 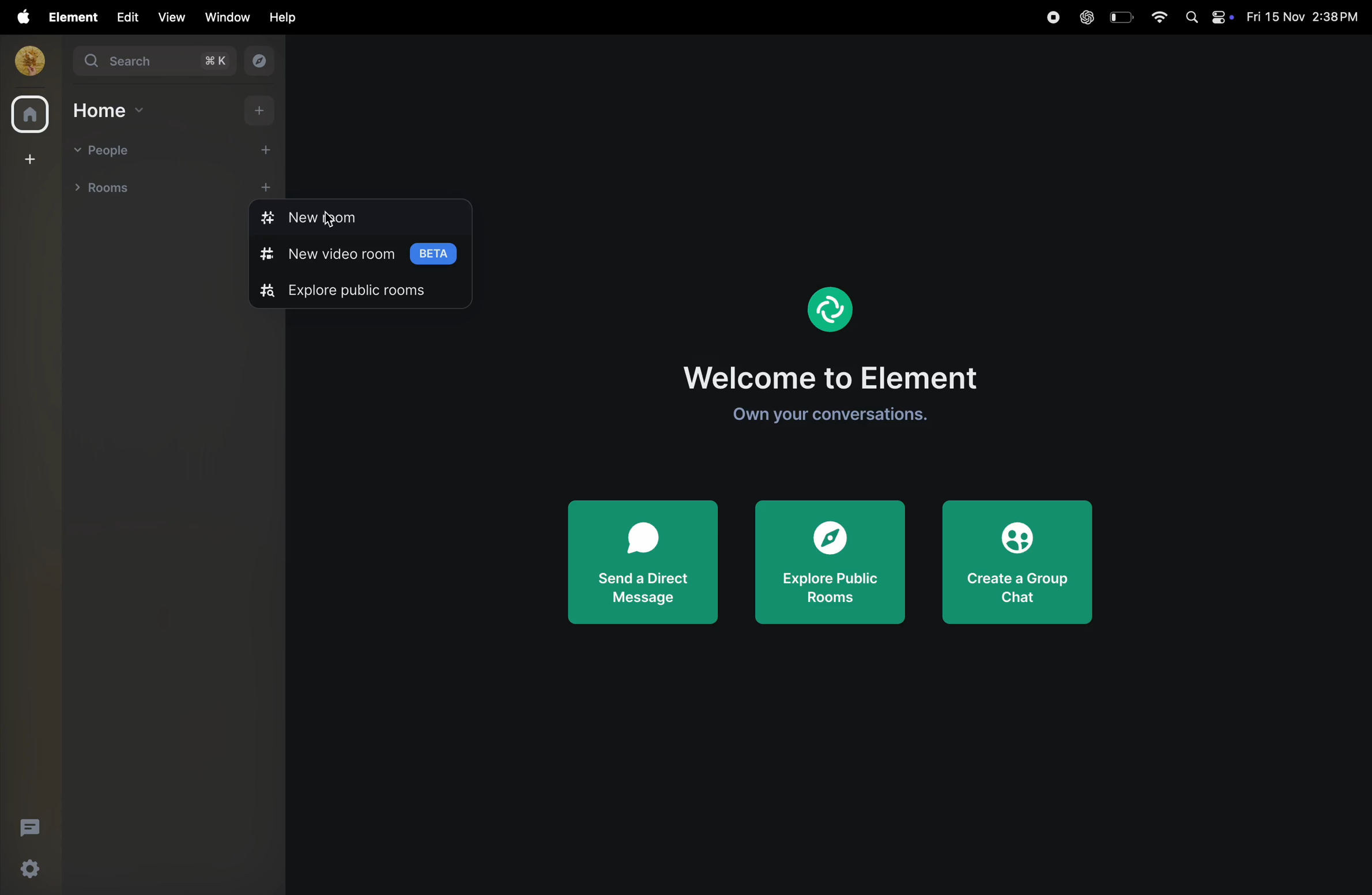 I want to click on add room, so click(x=266, y=185).